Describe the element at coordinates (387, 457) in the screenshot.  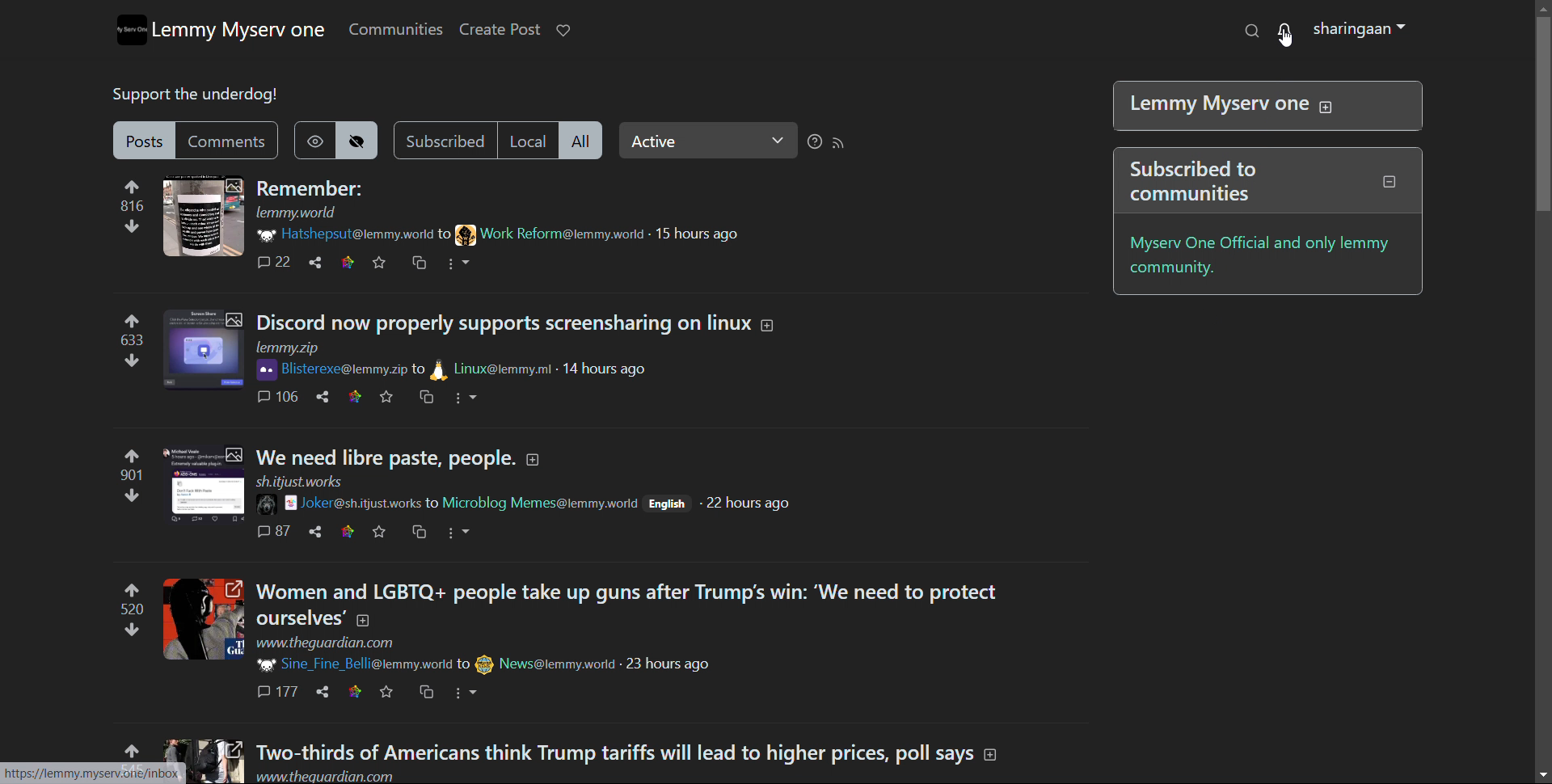
I see `post title "We need libre paste,people"` at that location.